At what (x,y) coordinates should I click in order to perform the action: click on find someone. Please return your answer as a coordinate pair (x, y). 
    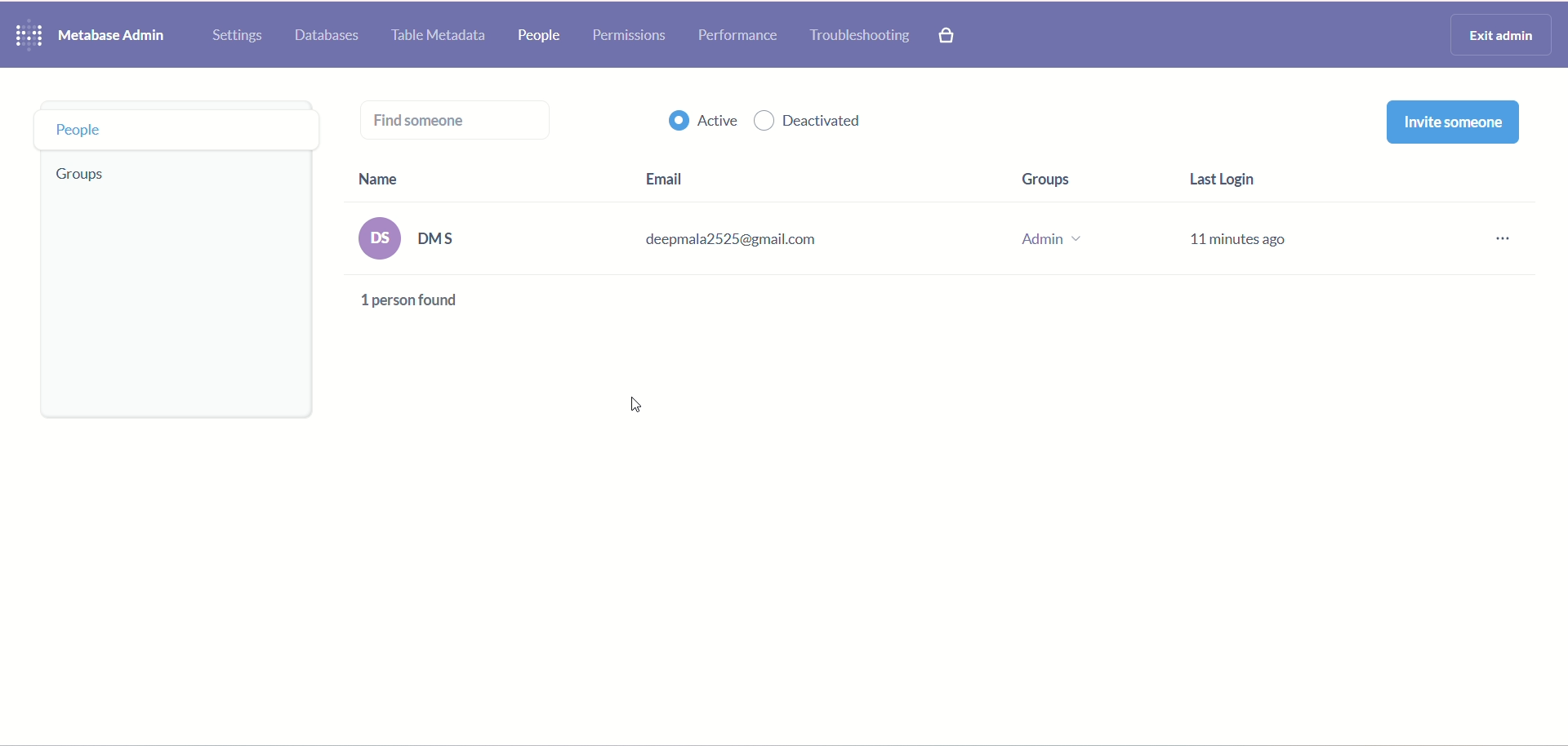
    Looking at the image, I should click on (453, 123).